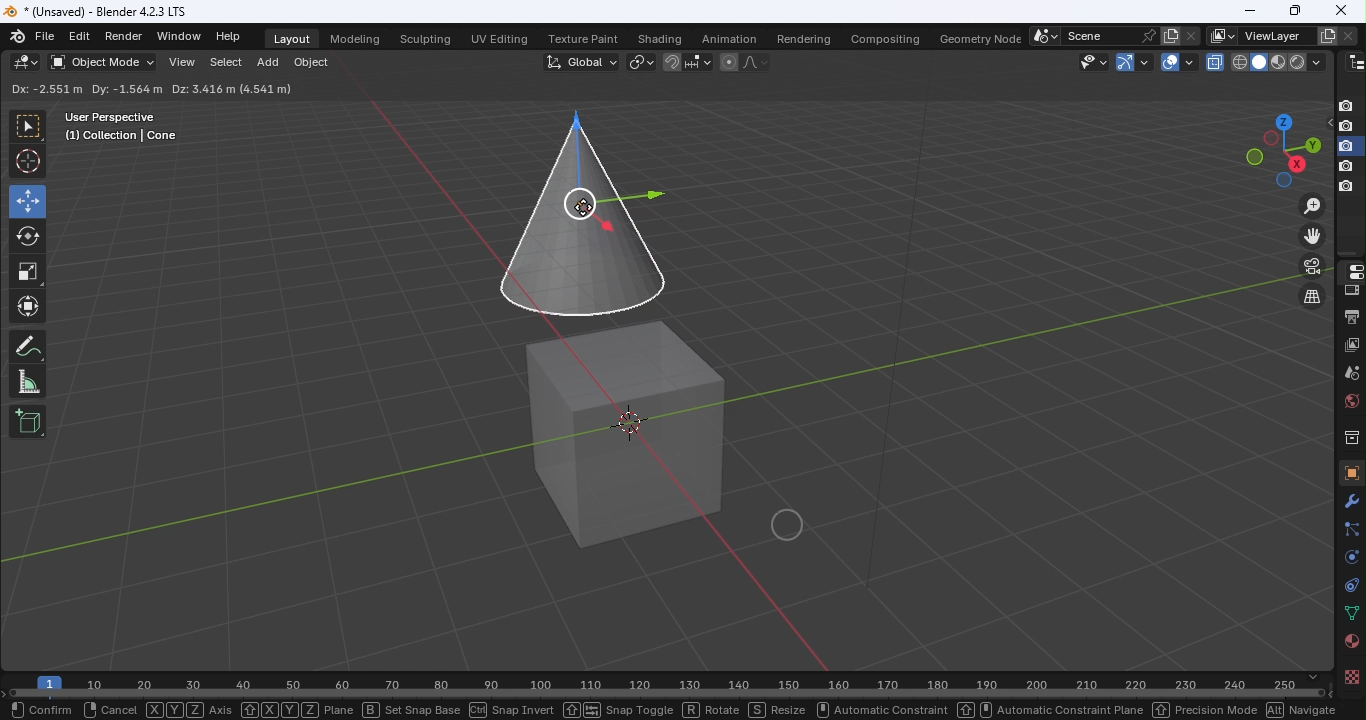 Image resolution: width=1366 pixels, height=720 pixels. I want to click on Add, so click(268, 65).